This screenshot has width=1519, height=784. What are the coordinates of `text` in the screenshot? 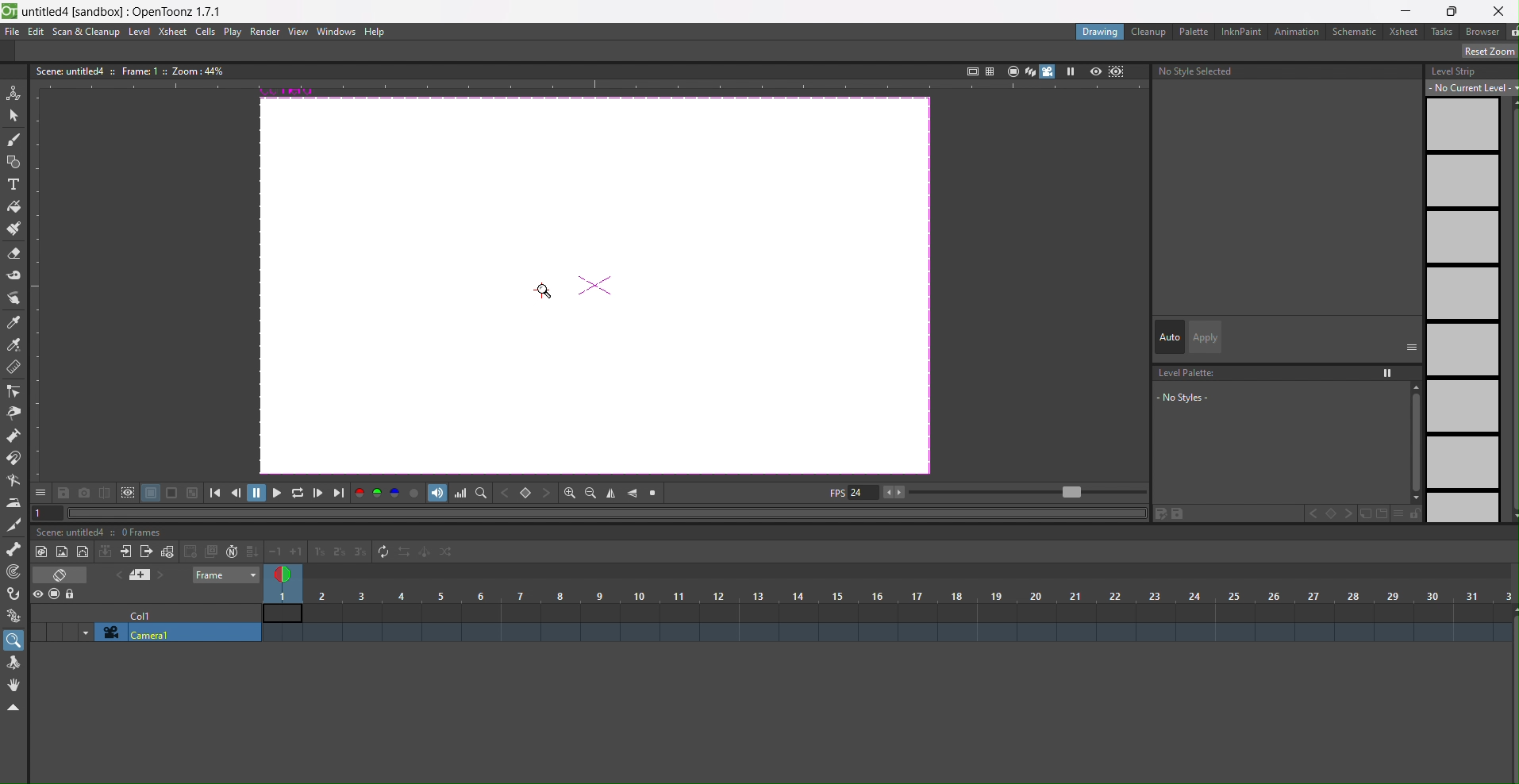 It's located at (102, 532).